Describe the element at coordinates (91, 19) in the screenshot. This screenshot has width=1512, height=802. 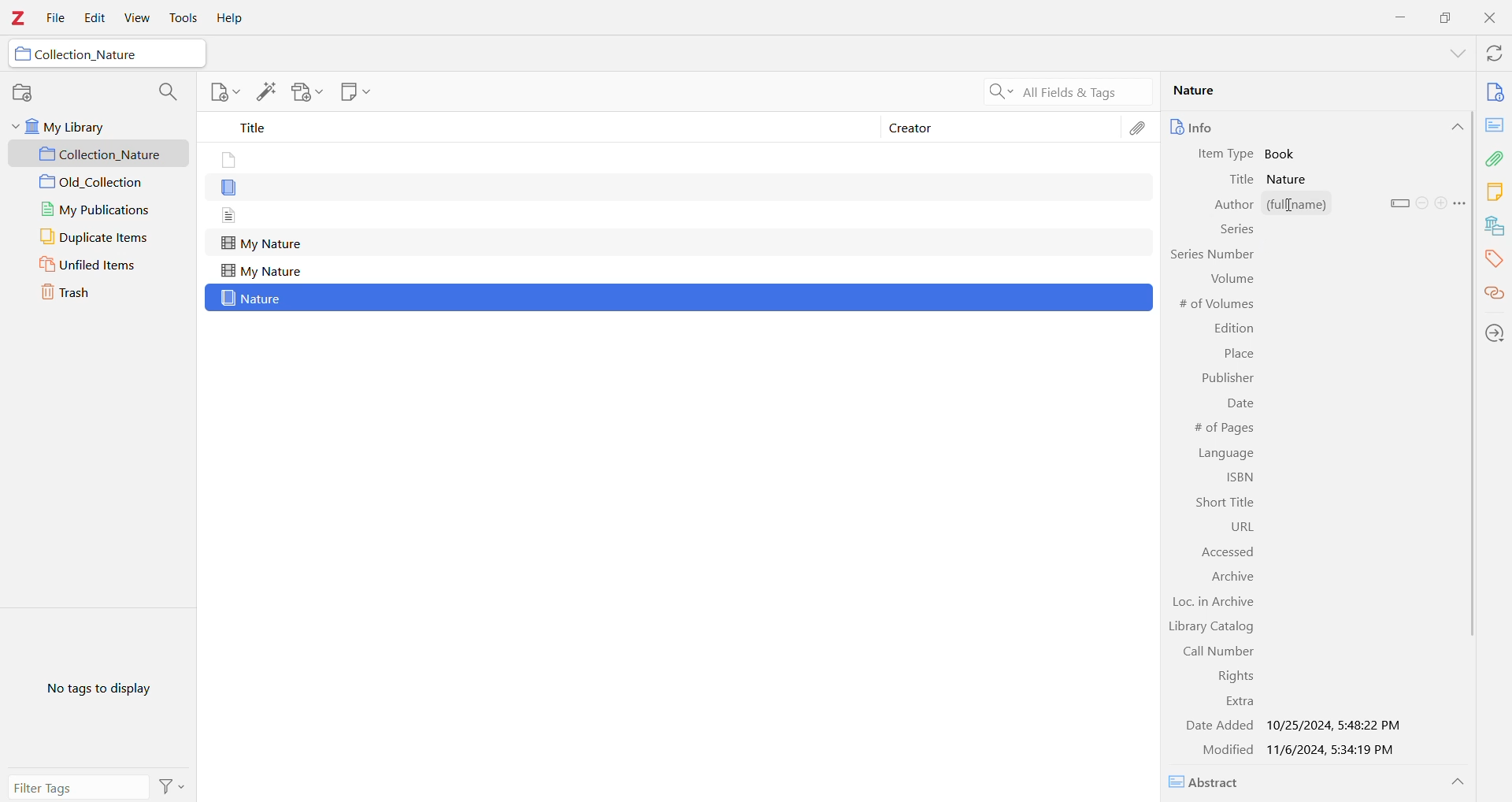
I see `Edit` at that location.